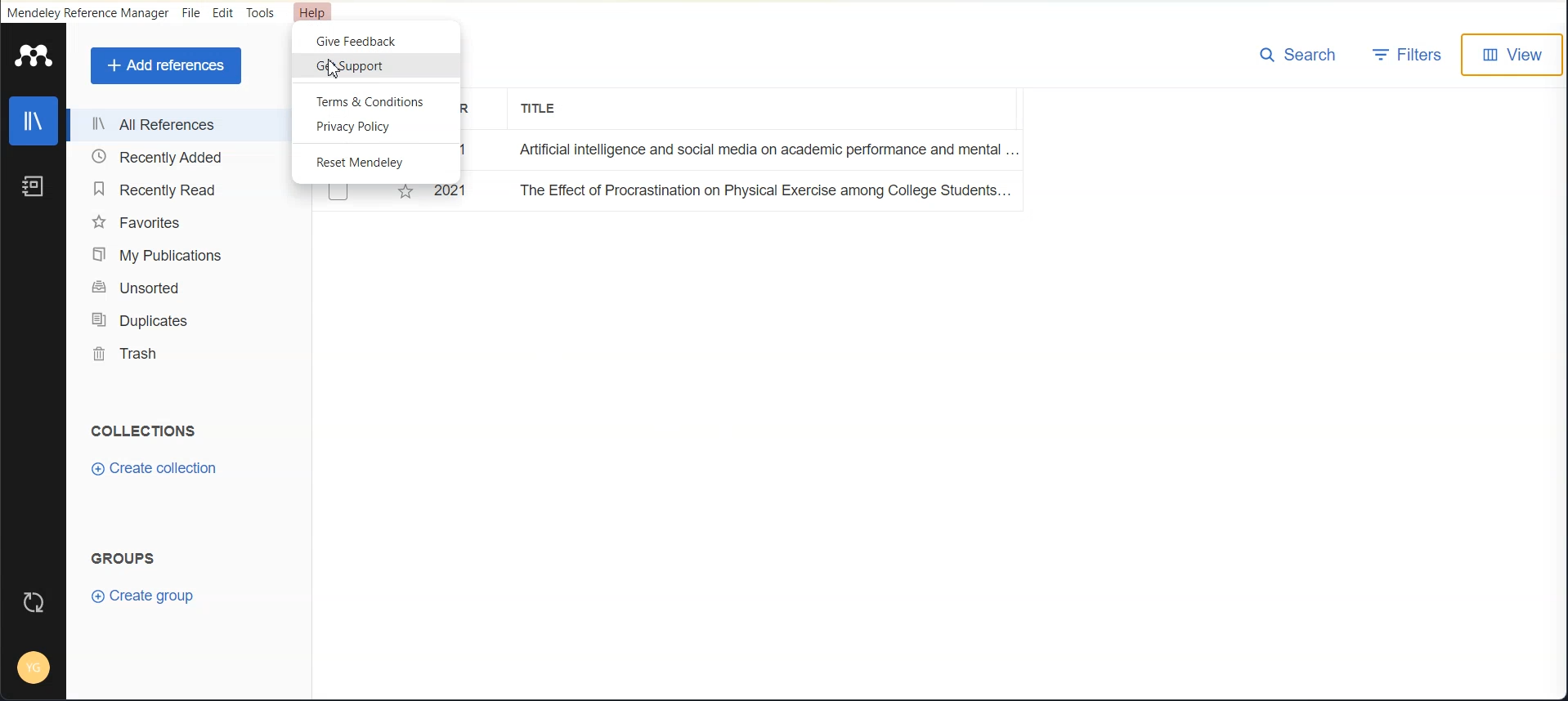 Image resolution: width=1568 pixels, height=701 pixels. Describe the element at coordinates (144, 432) in the screenshot. I see `Text` at that location.